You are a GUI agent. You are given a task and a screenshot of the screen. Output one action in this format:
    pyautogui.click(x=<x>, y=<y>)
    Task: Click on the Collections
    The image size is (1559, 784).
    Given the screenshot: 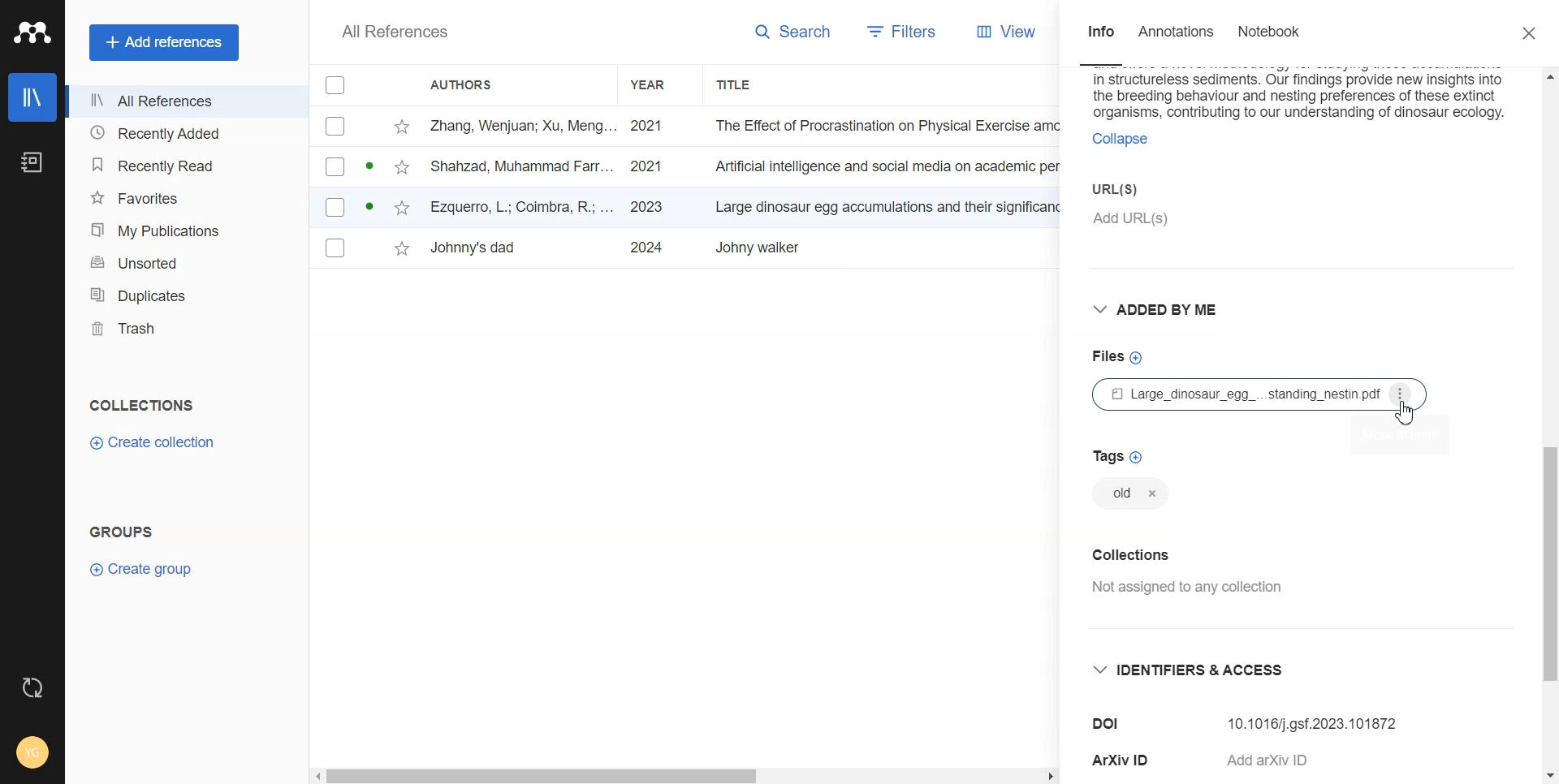 What is the action you would take?
    pyautogui.click(x=1134, y=553)
    